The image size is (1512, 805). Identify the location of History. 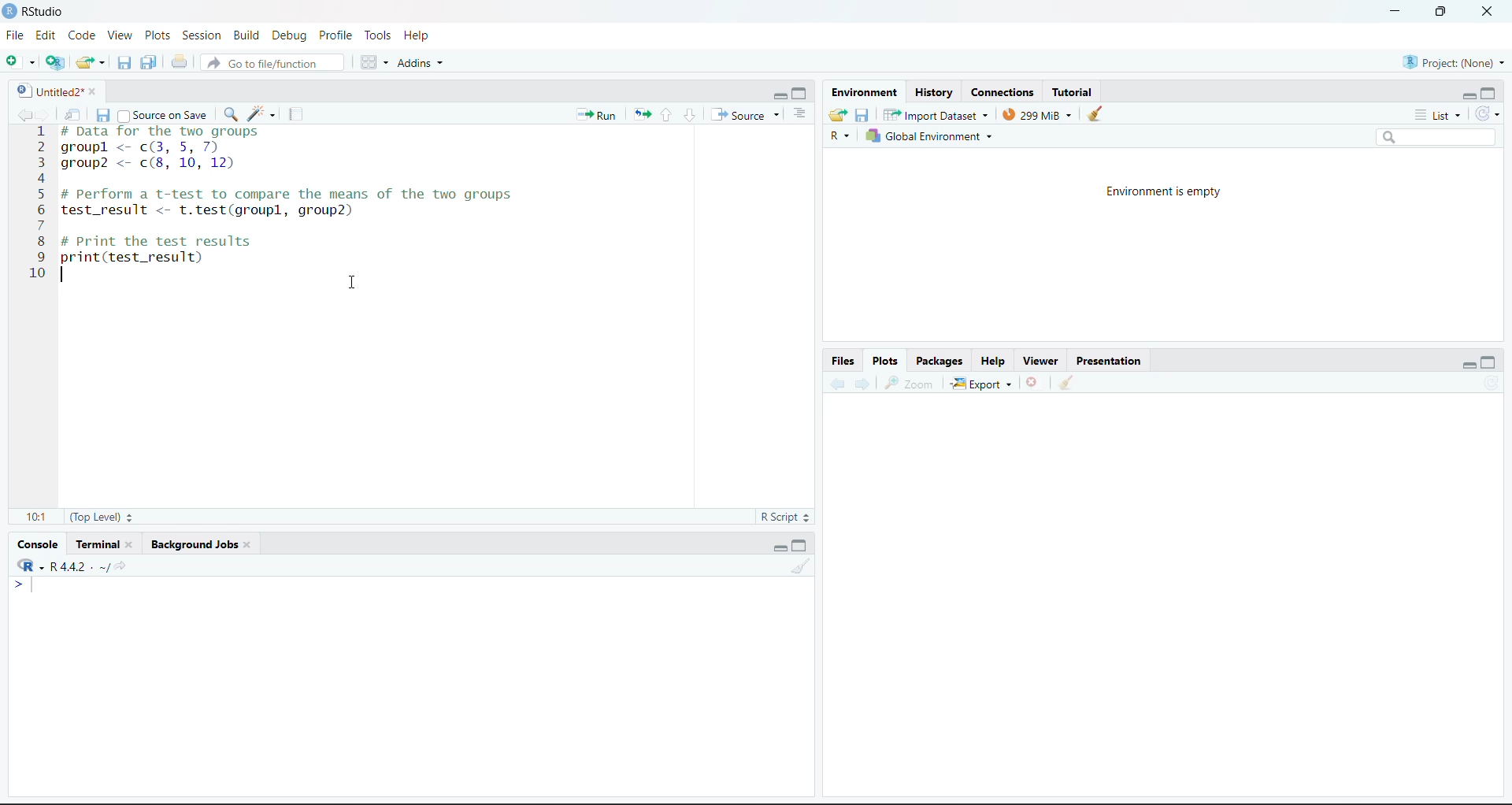
(935, 92).